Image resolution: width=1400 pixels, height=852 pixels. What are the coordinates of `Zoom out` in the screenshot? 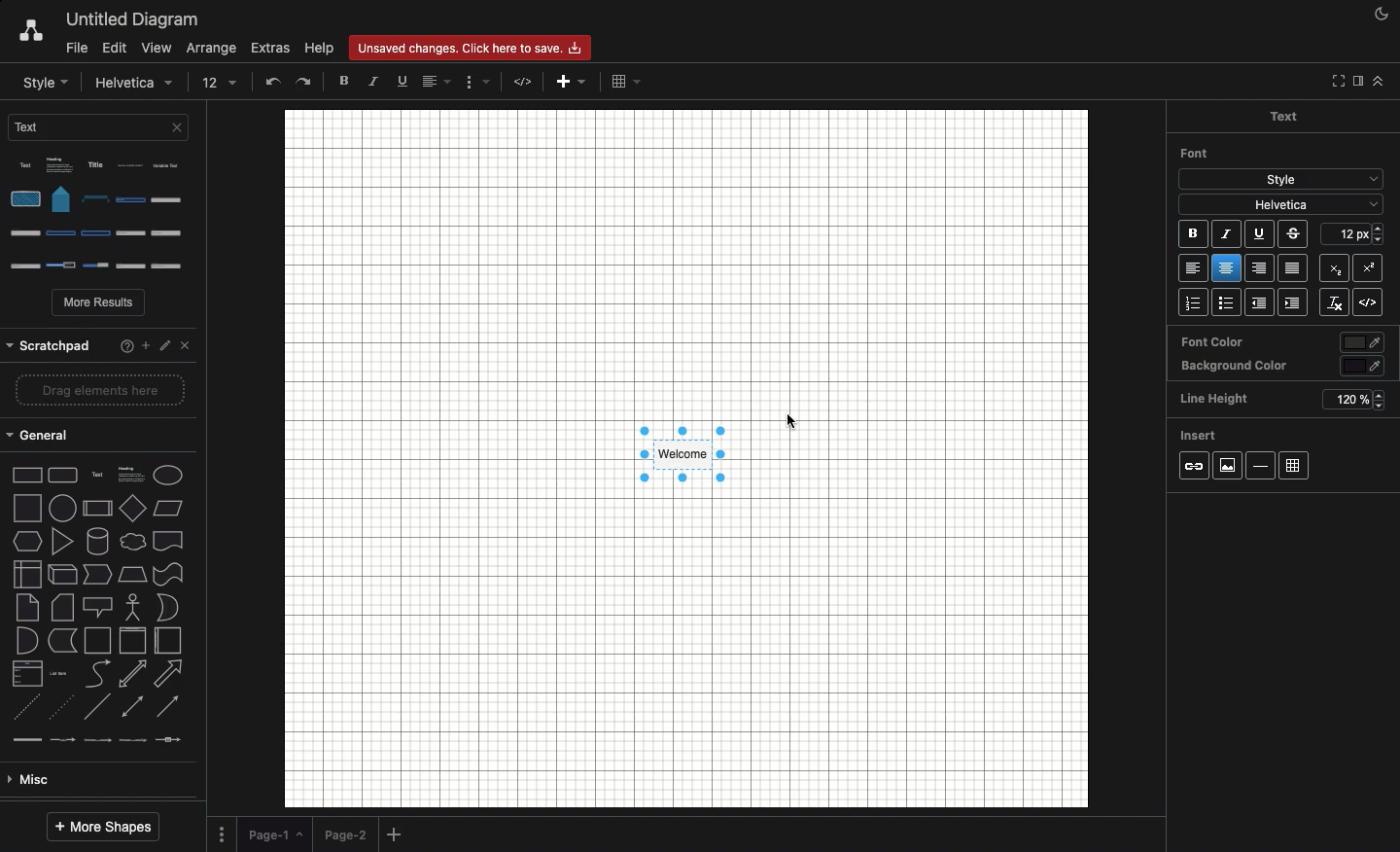 It's located at (202, 82).